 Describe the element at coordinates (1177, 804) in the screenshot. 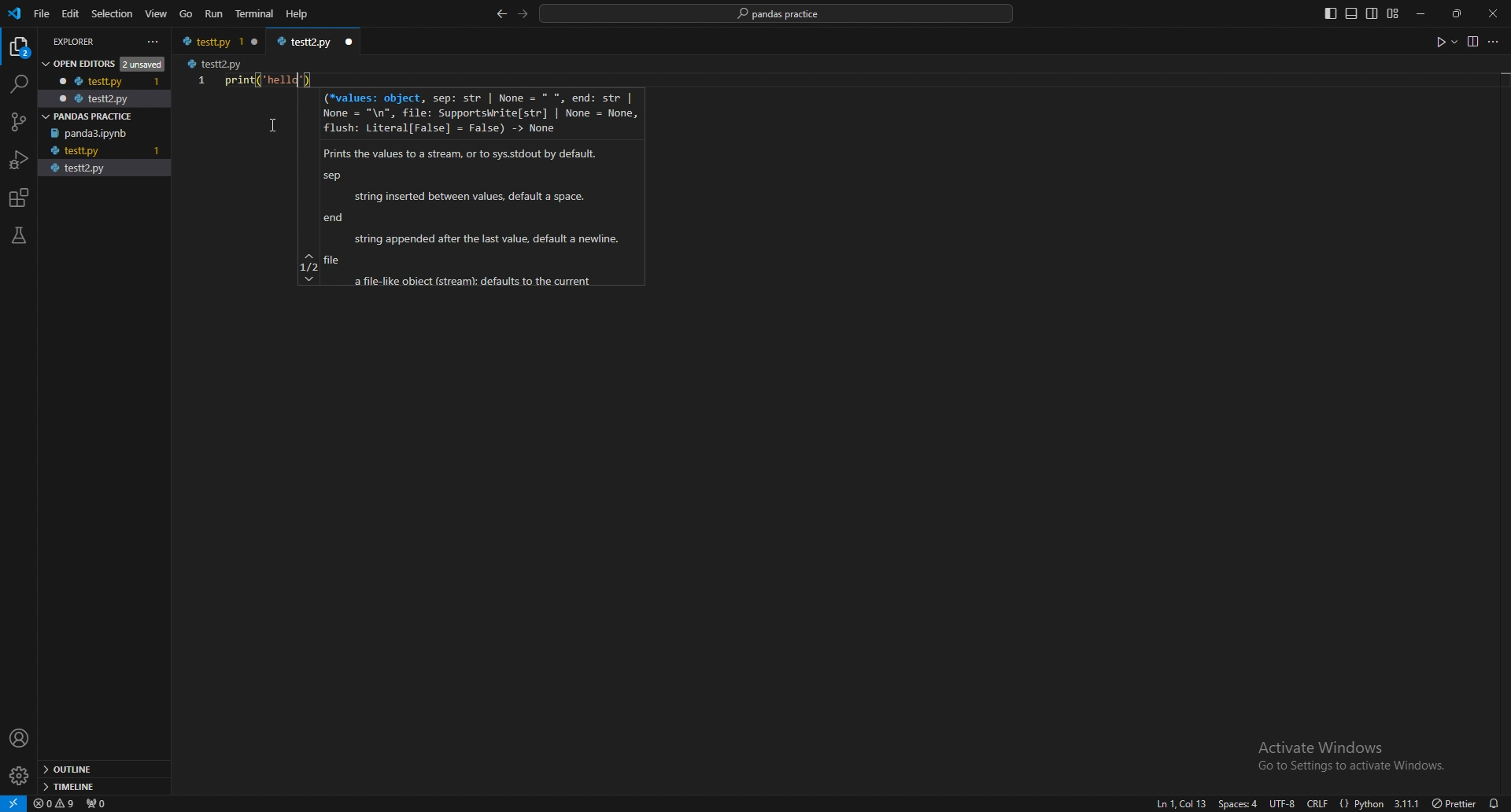

I see `ln1, col1` at that location.